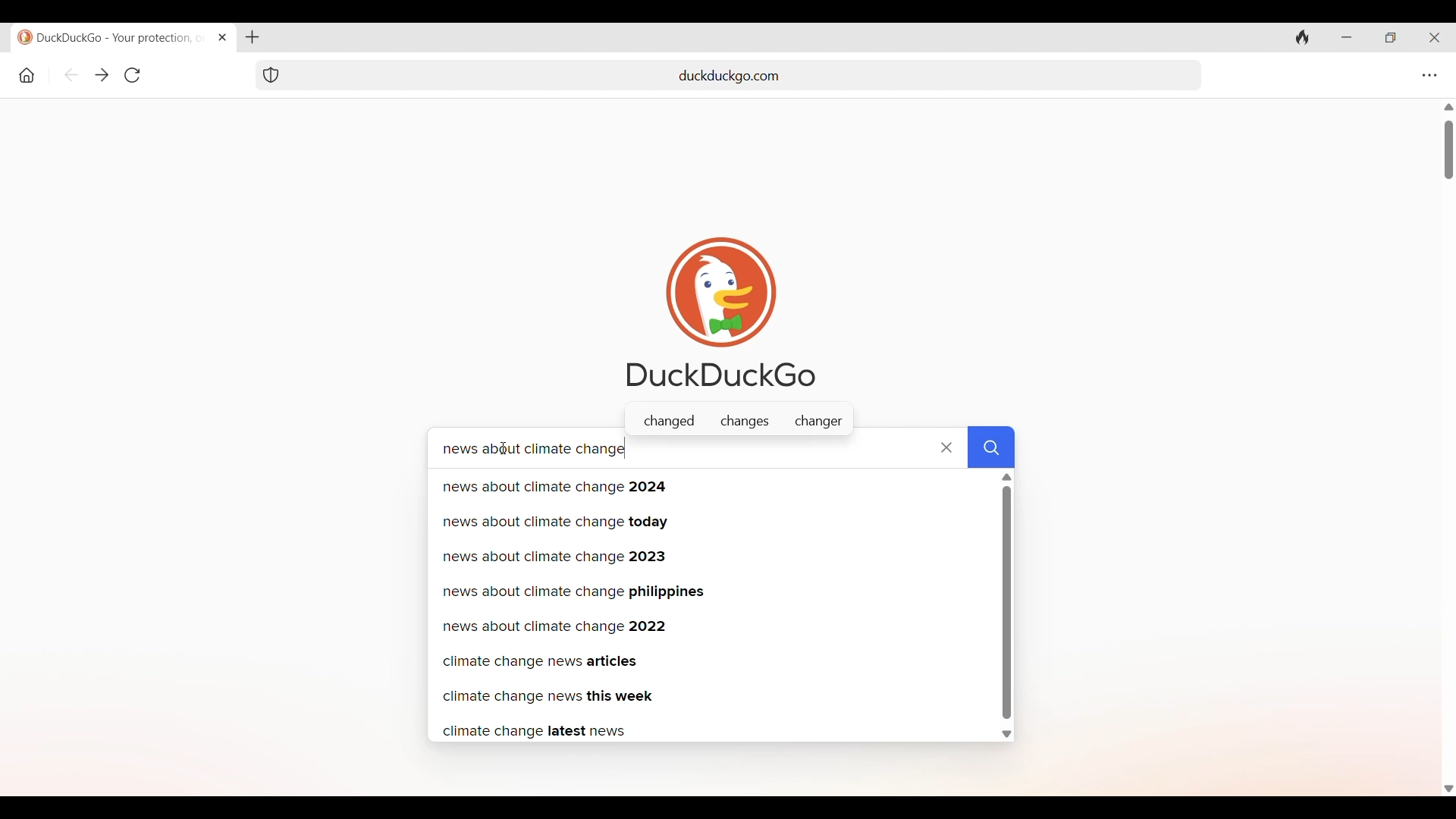  I want to click on Cursor, so click(504, 447).